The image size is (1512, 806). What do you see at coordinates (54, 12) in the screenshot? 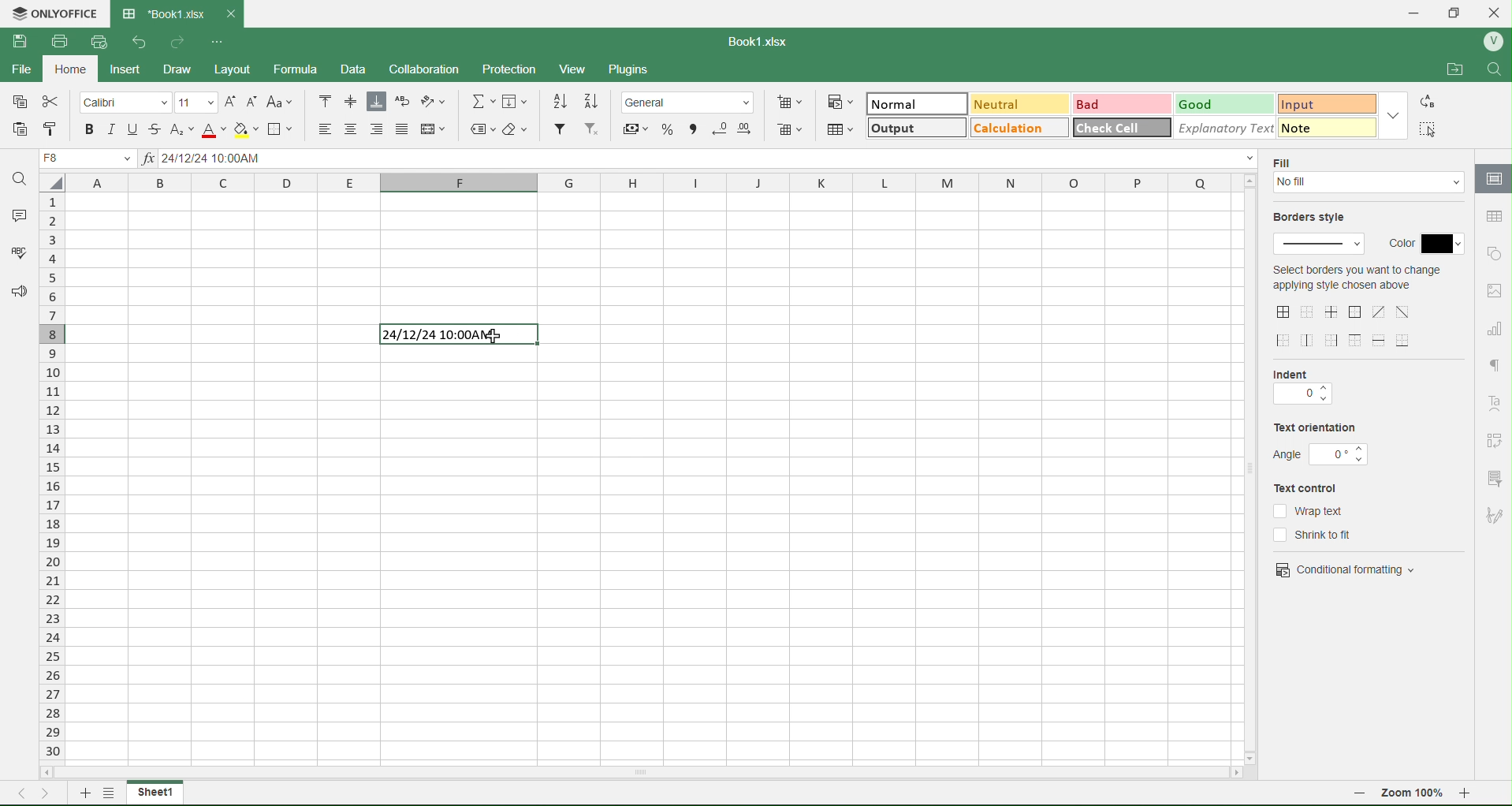
I see `ONLYOFFICE` at bounding box center [54, 12].